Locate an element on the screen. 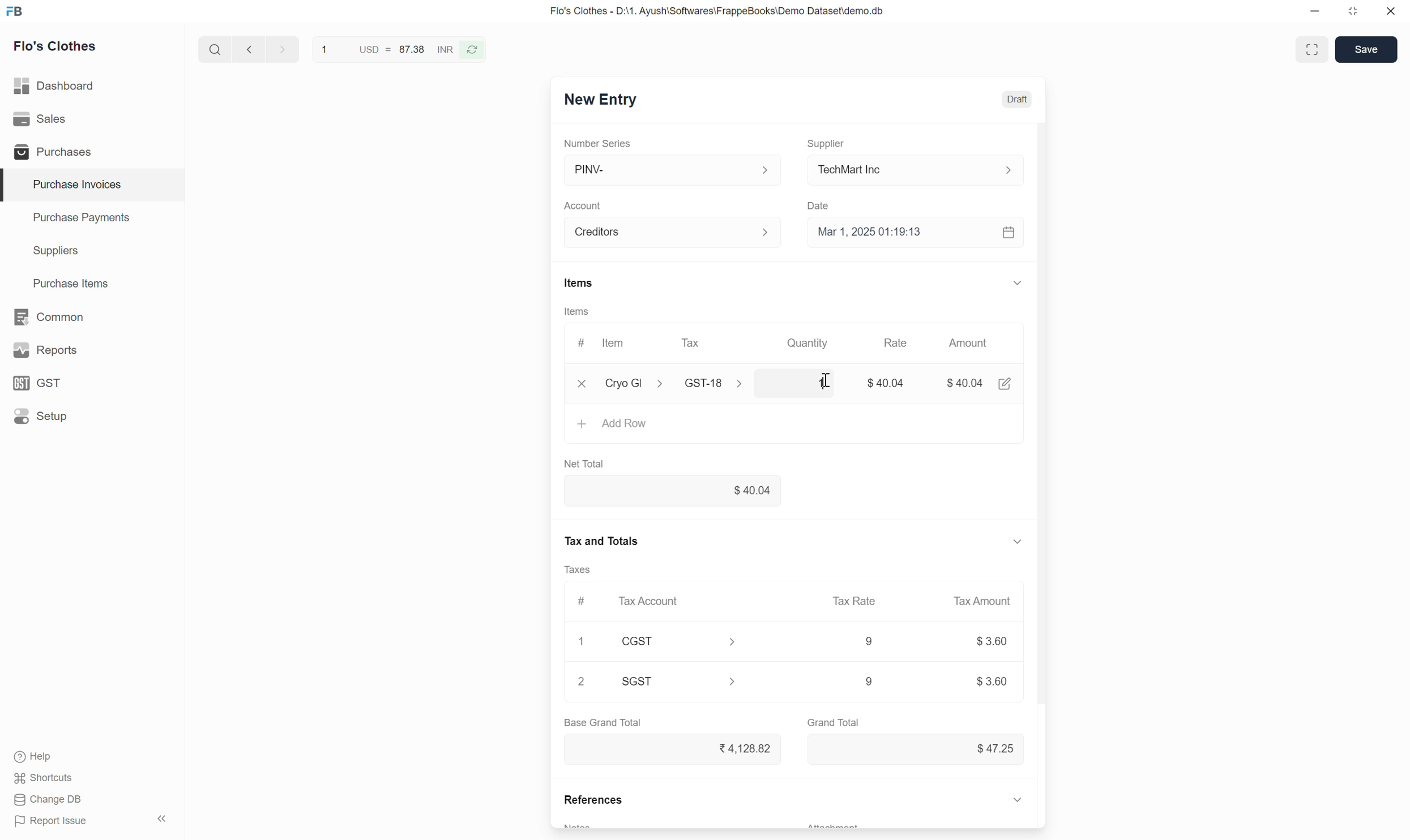 The width and height of the screenshot is (1410, 840). Dashboard is located at coordinates (55, 83).